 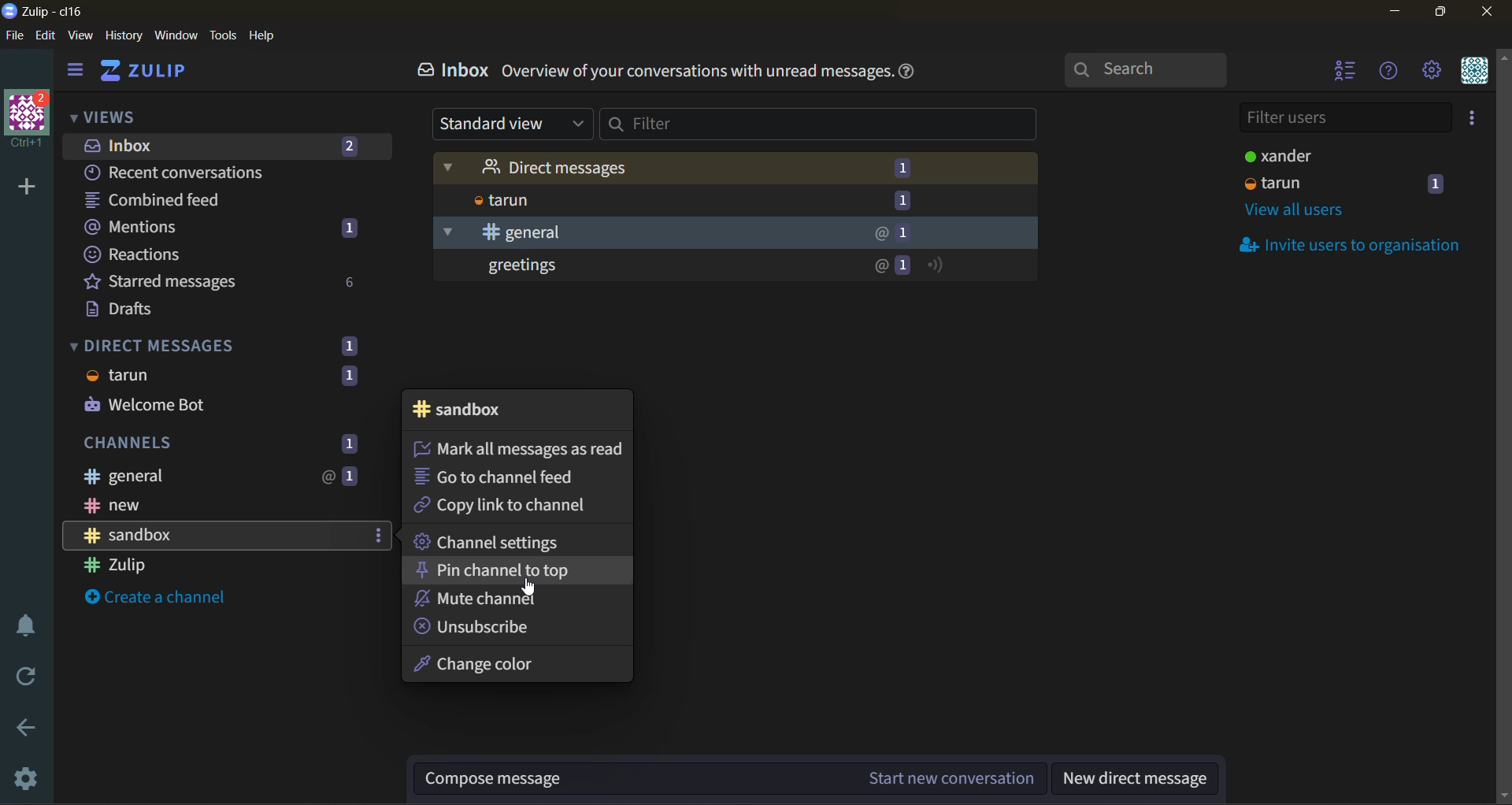 What do you see at coordinates (226, 144) in the screenshot?
I see `inbox` at bounding box center [226, 144].